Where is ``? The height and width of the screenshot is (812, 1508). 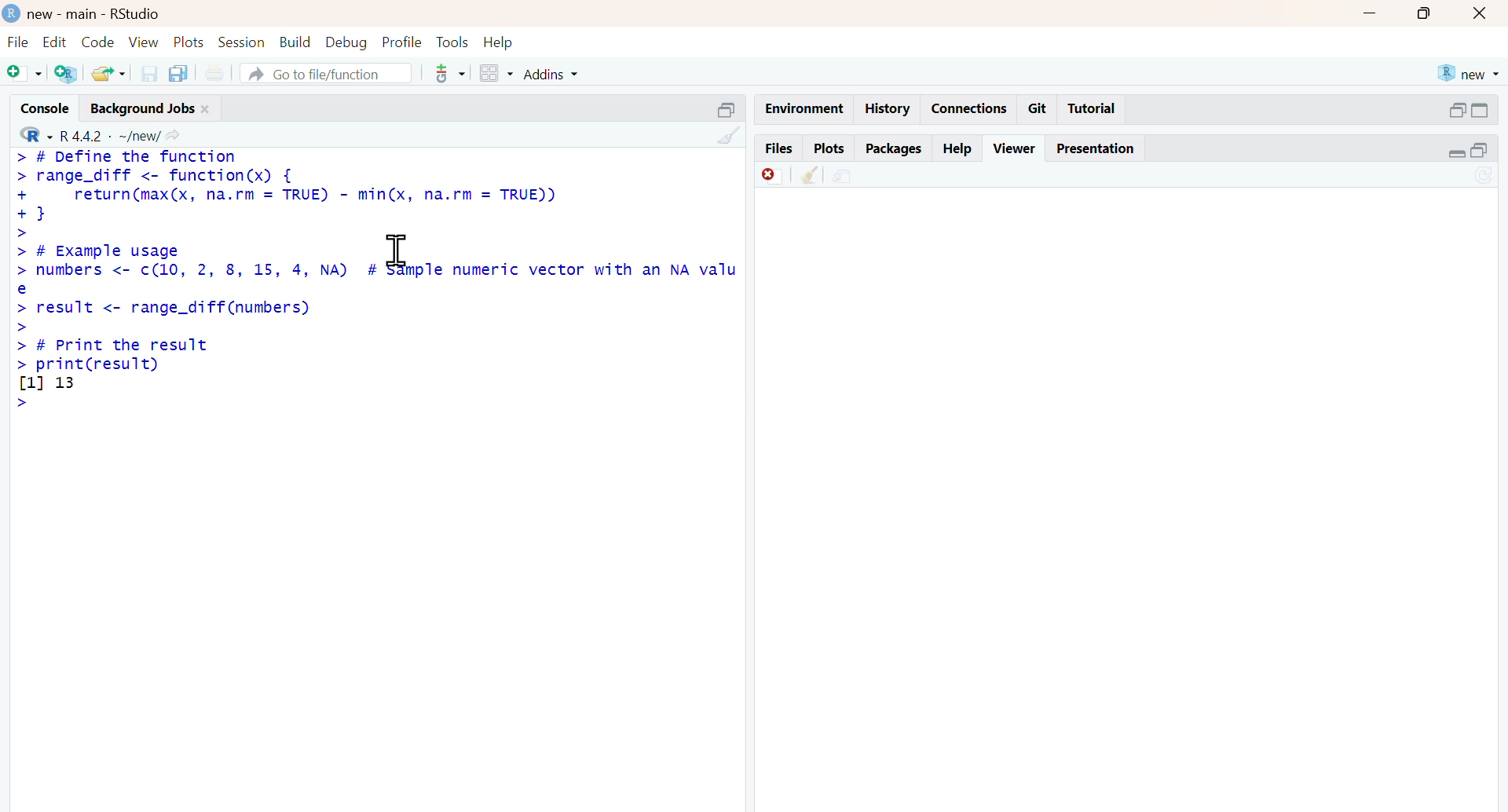  is located at coordinates (1481, 13).